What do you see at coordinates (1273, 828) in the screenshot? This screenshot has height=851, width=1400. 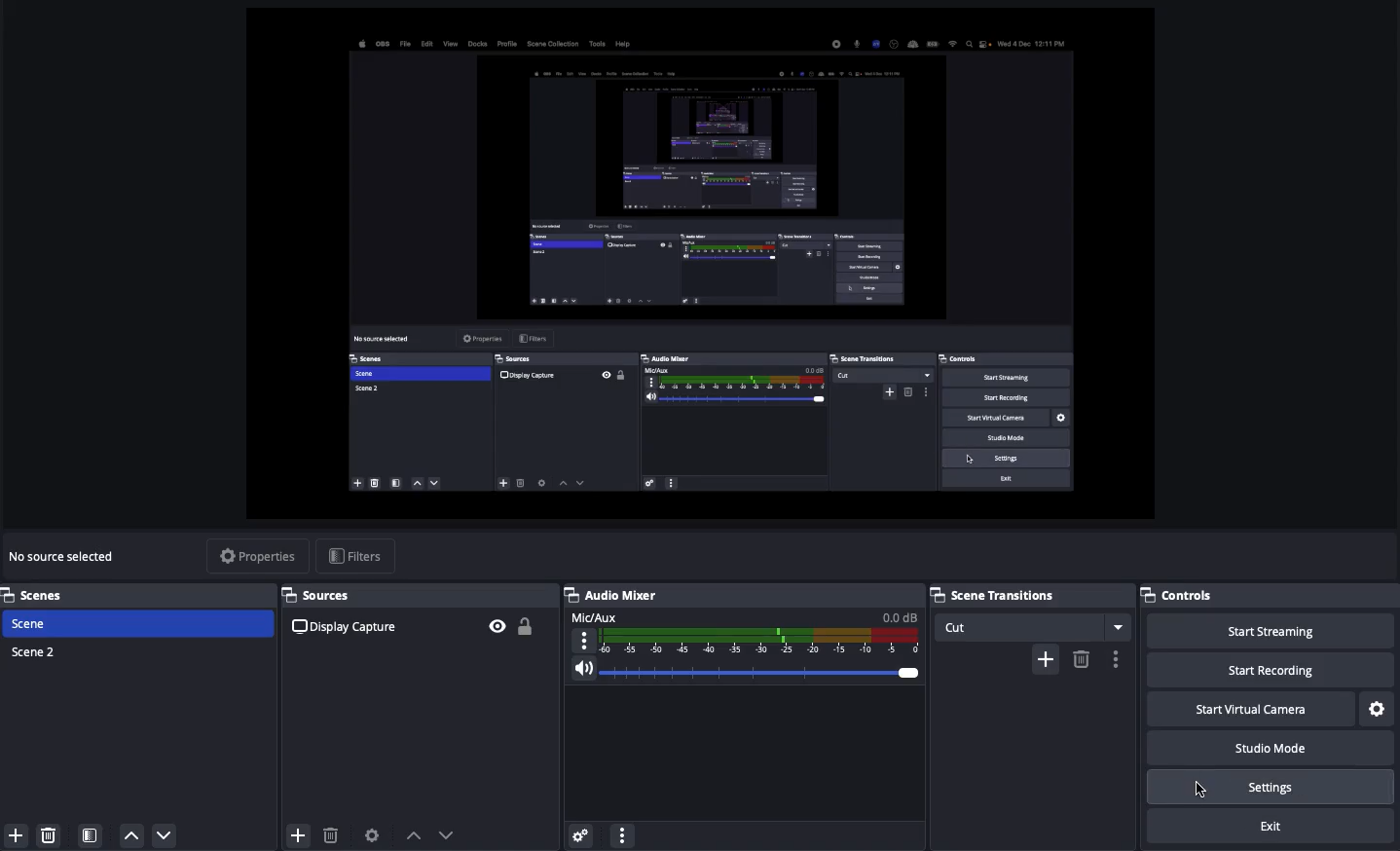 I see `Exit` at bounding box center [1273, 828].